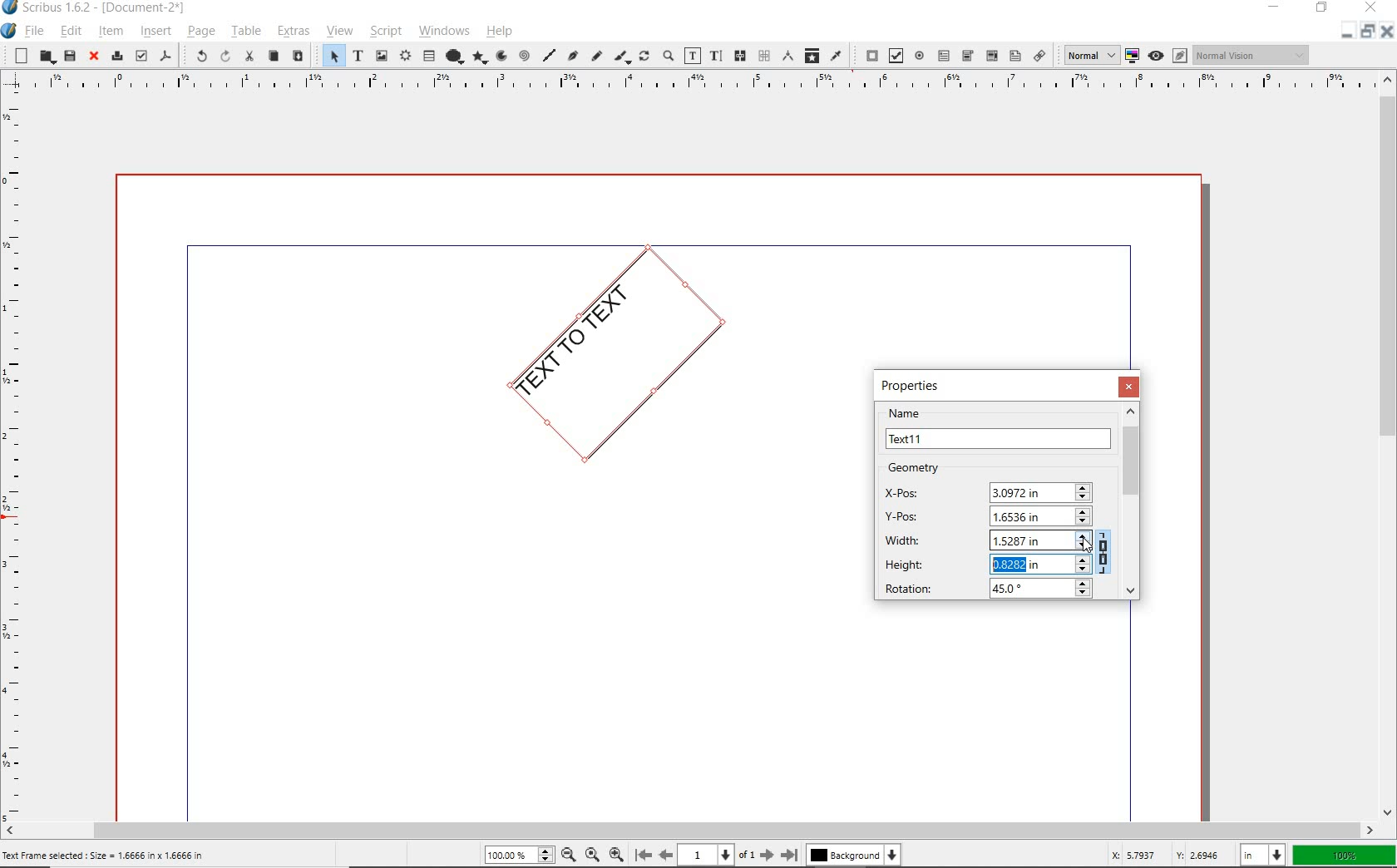 This screenshot has width=1397, height=868. I want to click on cut, so click(248, 57).